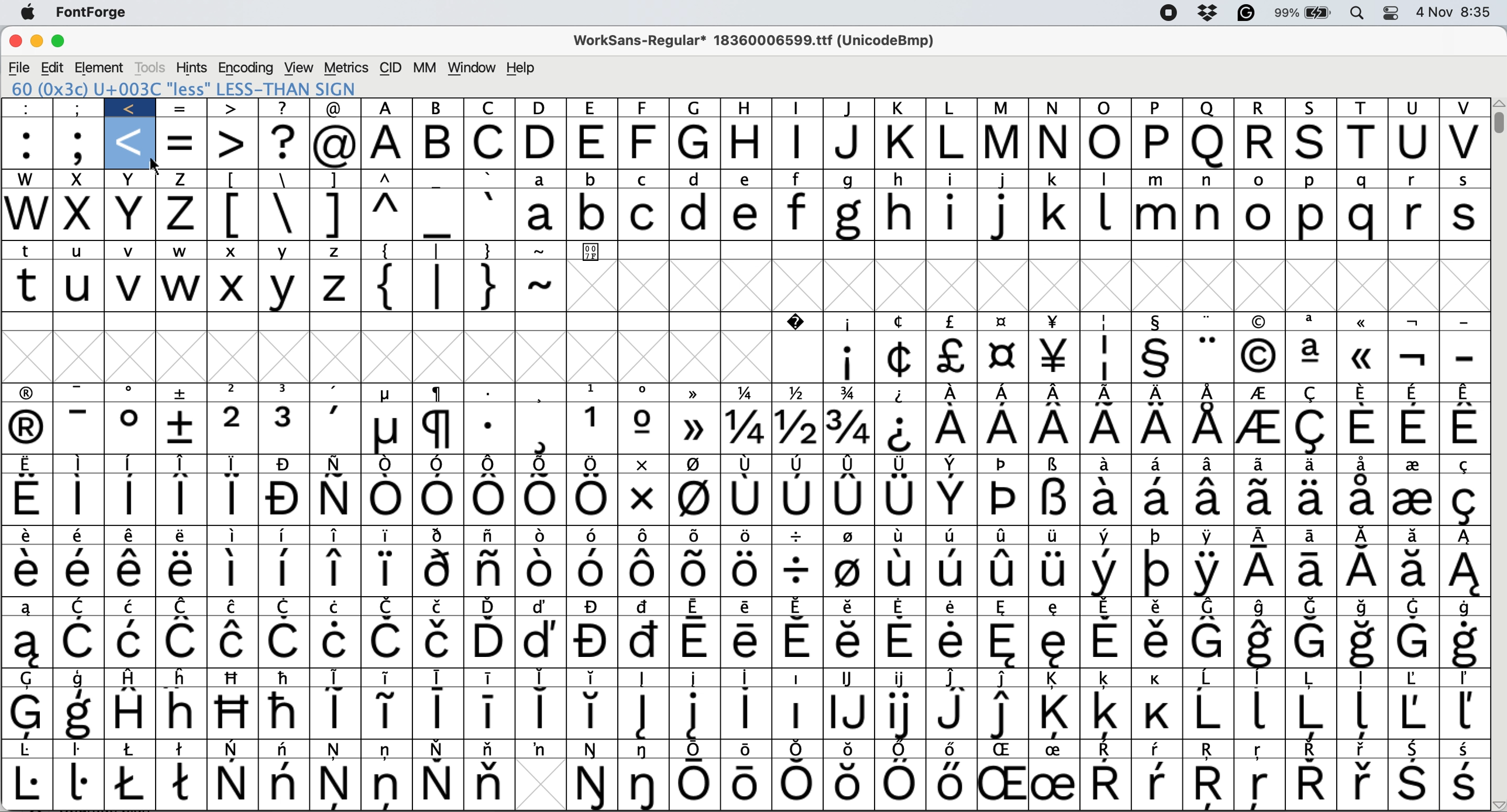 This screenshot has width=1507, height=812. What do you see at coordinates (131, 285) in the screenshot?
I see `v` at bounding box center [131, 285].